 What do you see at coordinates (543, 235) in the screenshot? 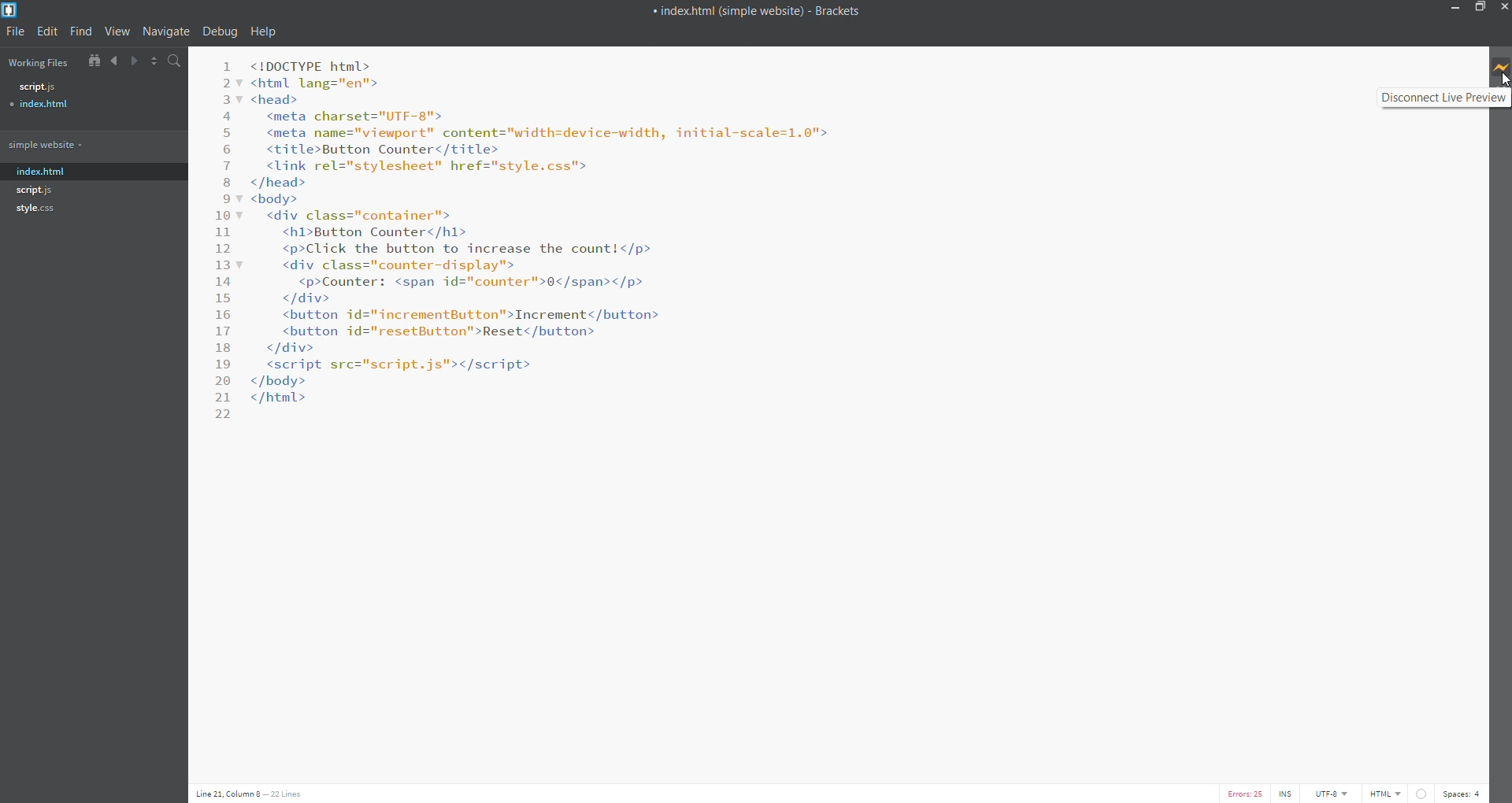
I see `code editor` at bounding box center [543, 235].